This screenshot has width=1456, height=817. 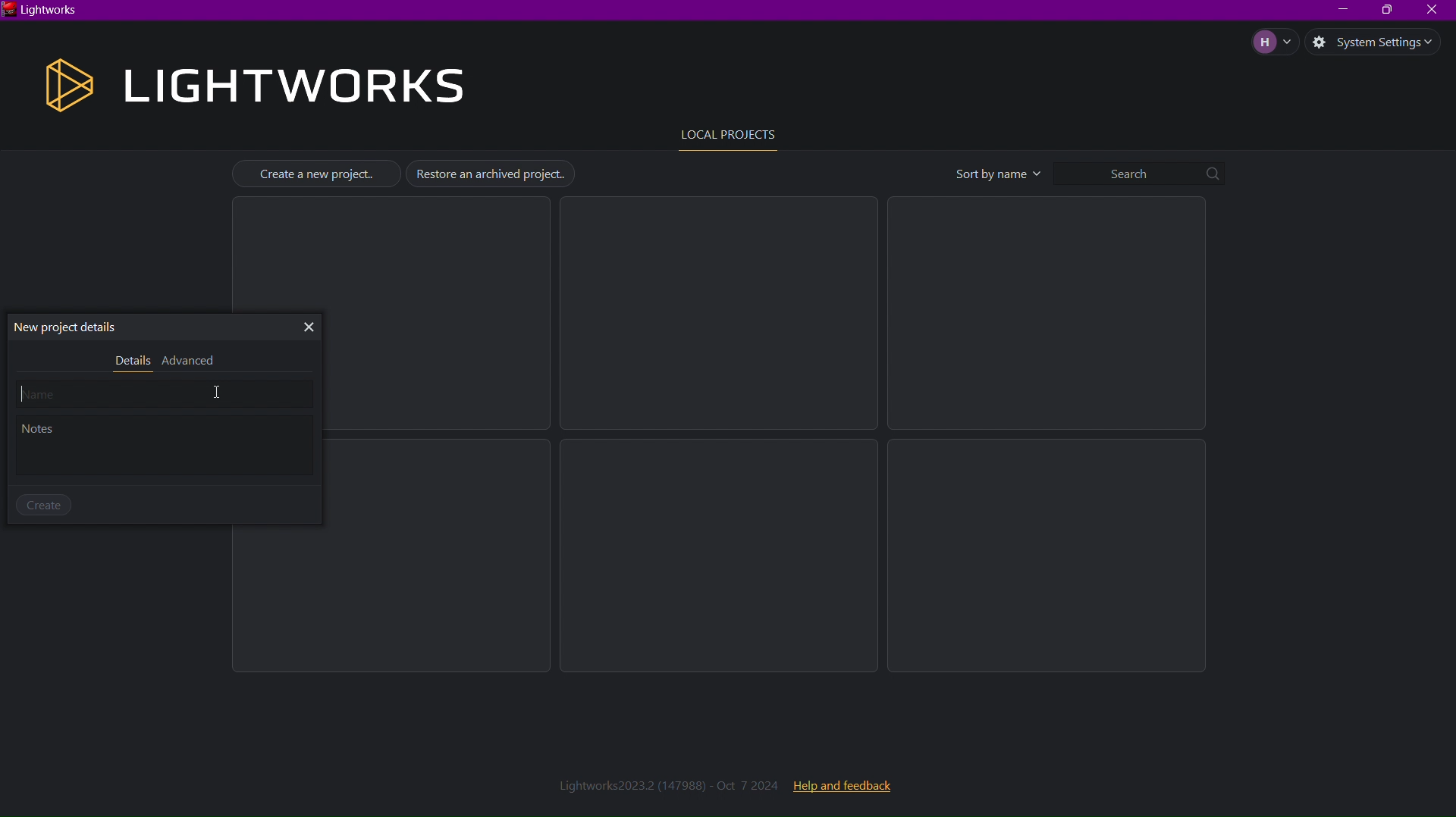 What do you see at coordinates (725, 136) in the screenshot?
I see `Local Projects` at bounding box center [725, 136].